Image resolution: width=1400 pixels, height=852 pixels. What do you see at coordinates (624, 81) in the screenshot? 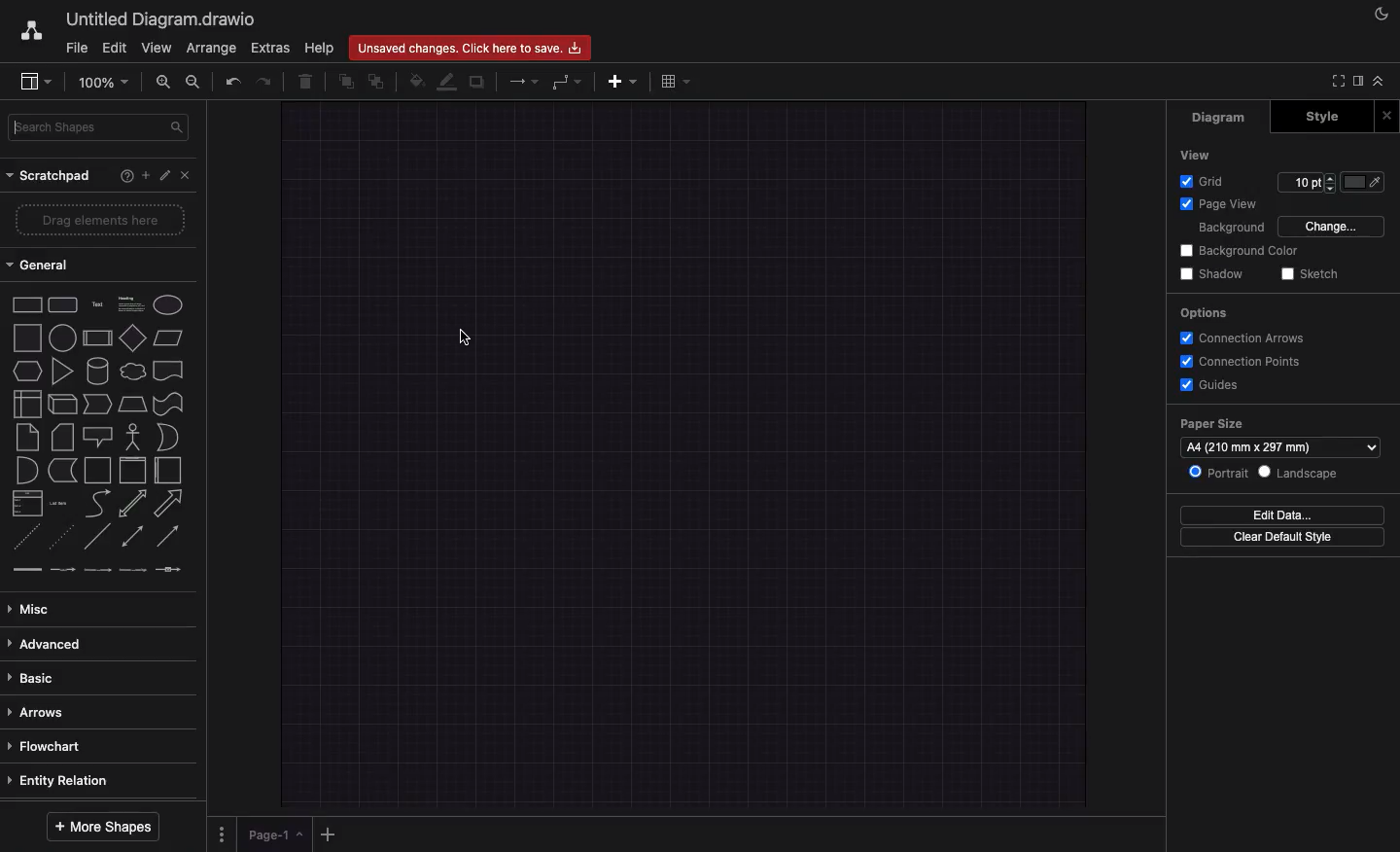
I see `Ad` at bounding box center [624, 81].